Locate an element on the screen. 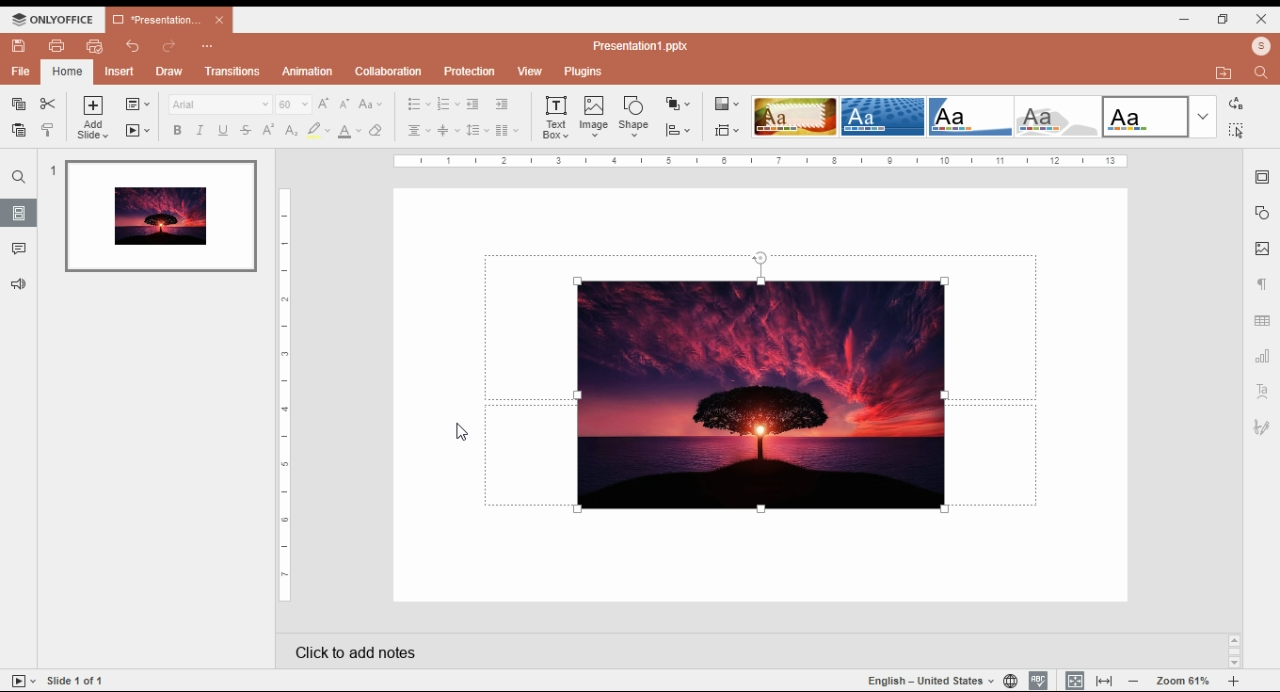 This screenshot has width=1280, height=692. font is located at coordinates (220, 105).